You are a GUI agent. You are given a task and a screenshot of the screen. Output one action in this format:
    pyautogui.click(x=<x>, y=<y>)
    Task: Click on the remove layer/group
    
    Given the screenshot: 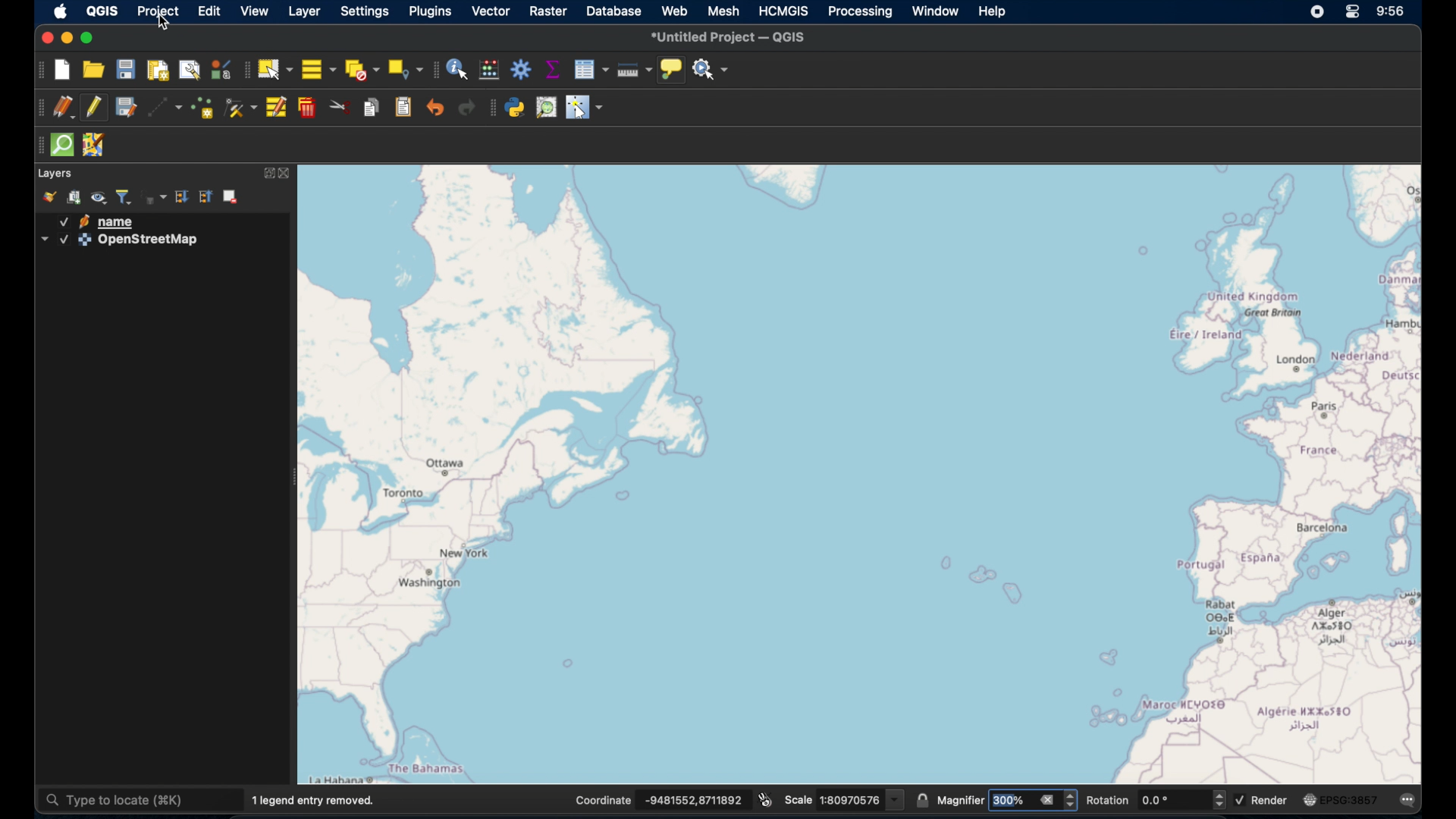 What is the action you would take?
    pyautogui.click(x=234, y=196)
    